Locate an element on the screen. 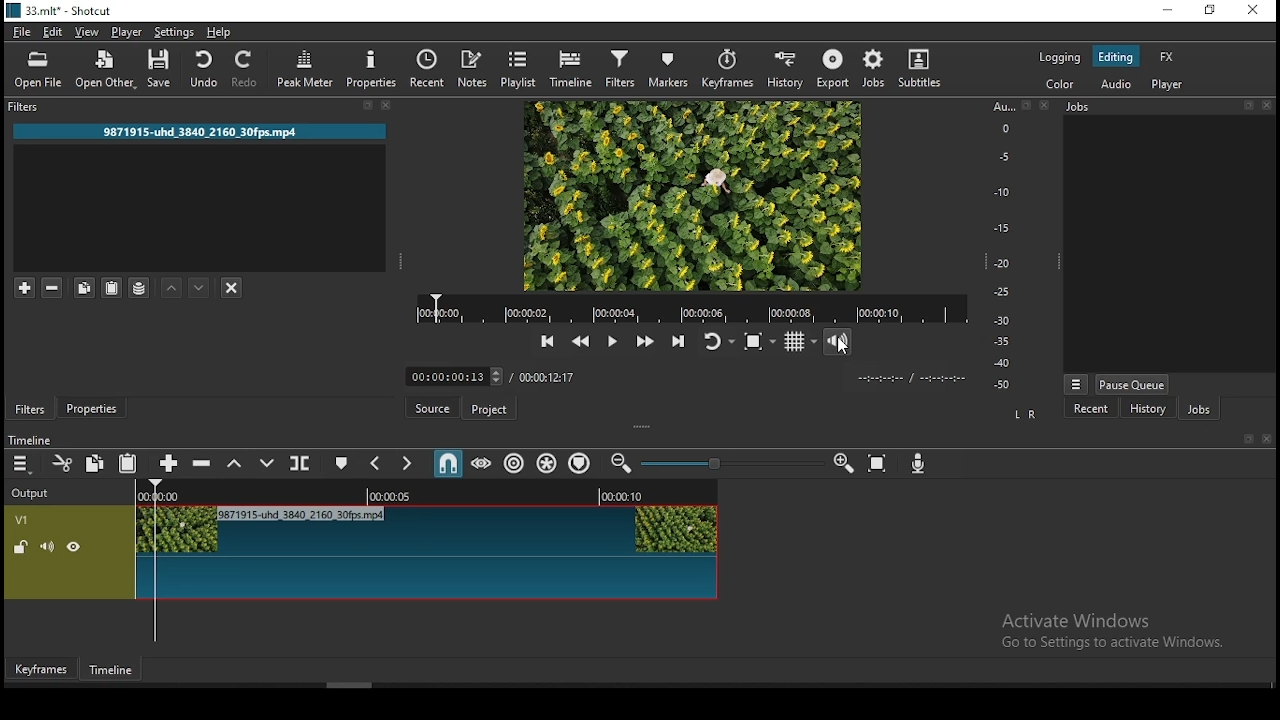 This screenshot has height=720, width=1280. cursor is located at coordinates (846, 348).